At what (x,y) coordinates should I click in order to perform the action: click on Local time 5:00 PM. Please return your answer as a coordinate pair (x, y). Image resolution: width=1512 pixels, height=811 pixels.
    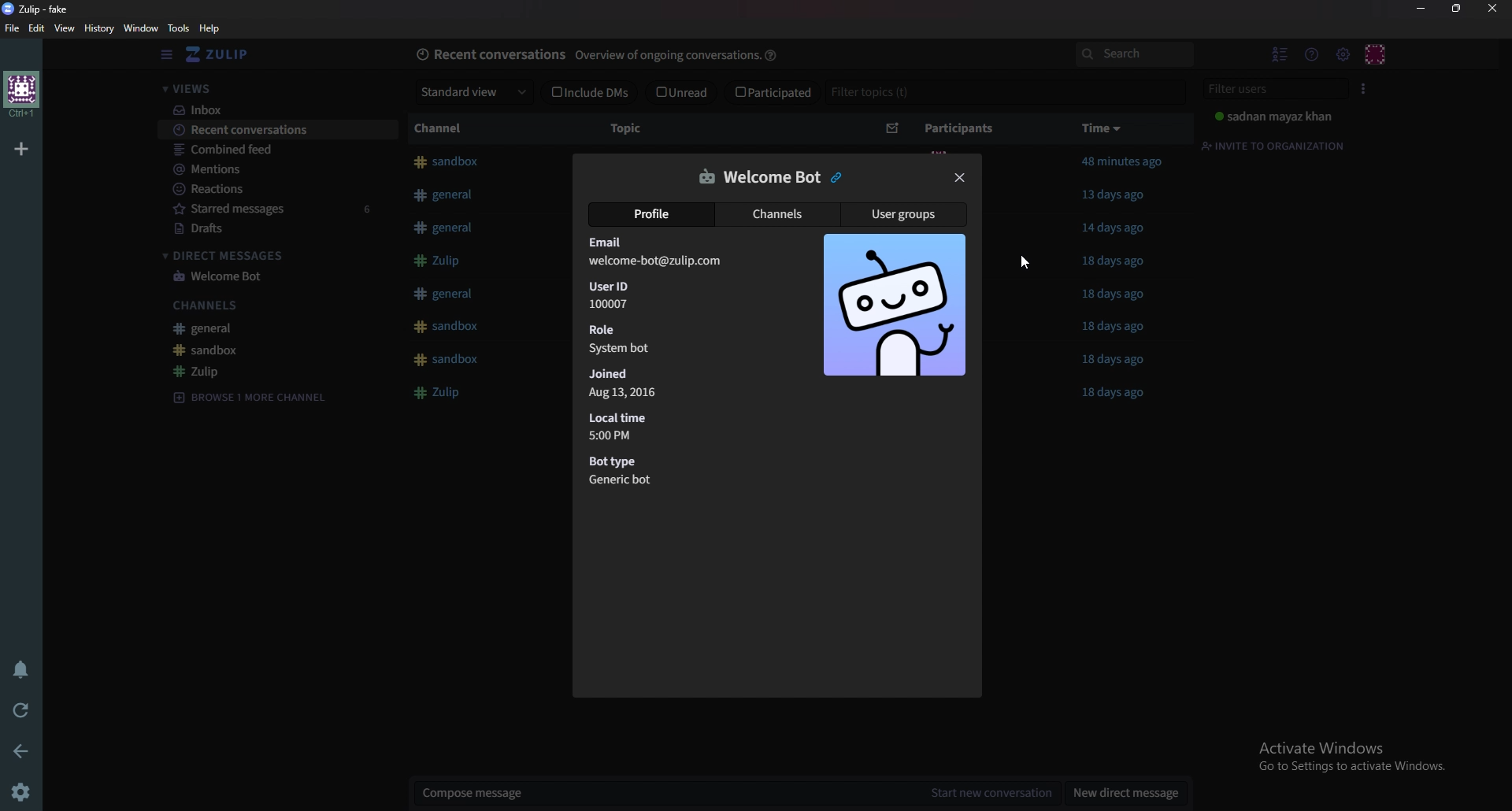
    Looking at the image, I should click on (625, 425).